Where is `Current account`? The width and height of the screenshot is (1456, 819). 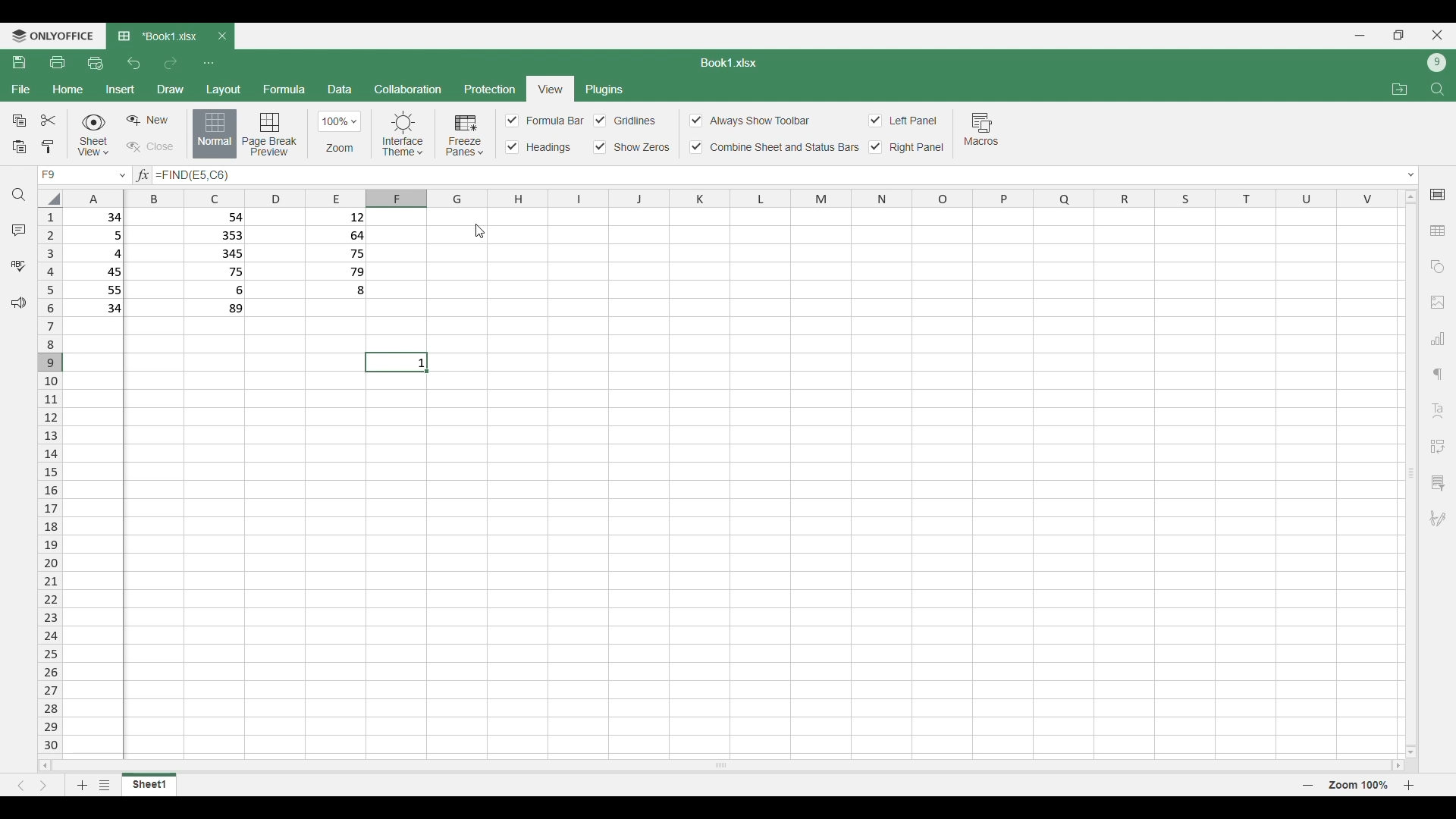
Current account is located at coordinates (1437, 63).